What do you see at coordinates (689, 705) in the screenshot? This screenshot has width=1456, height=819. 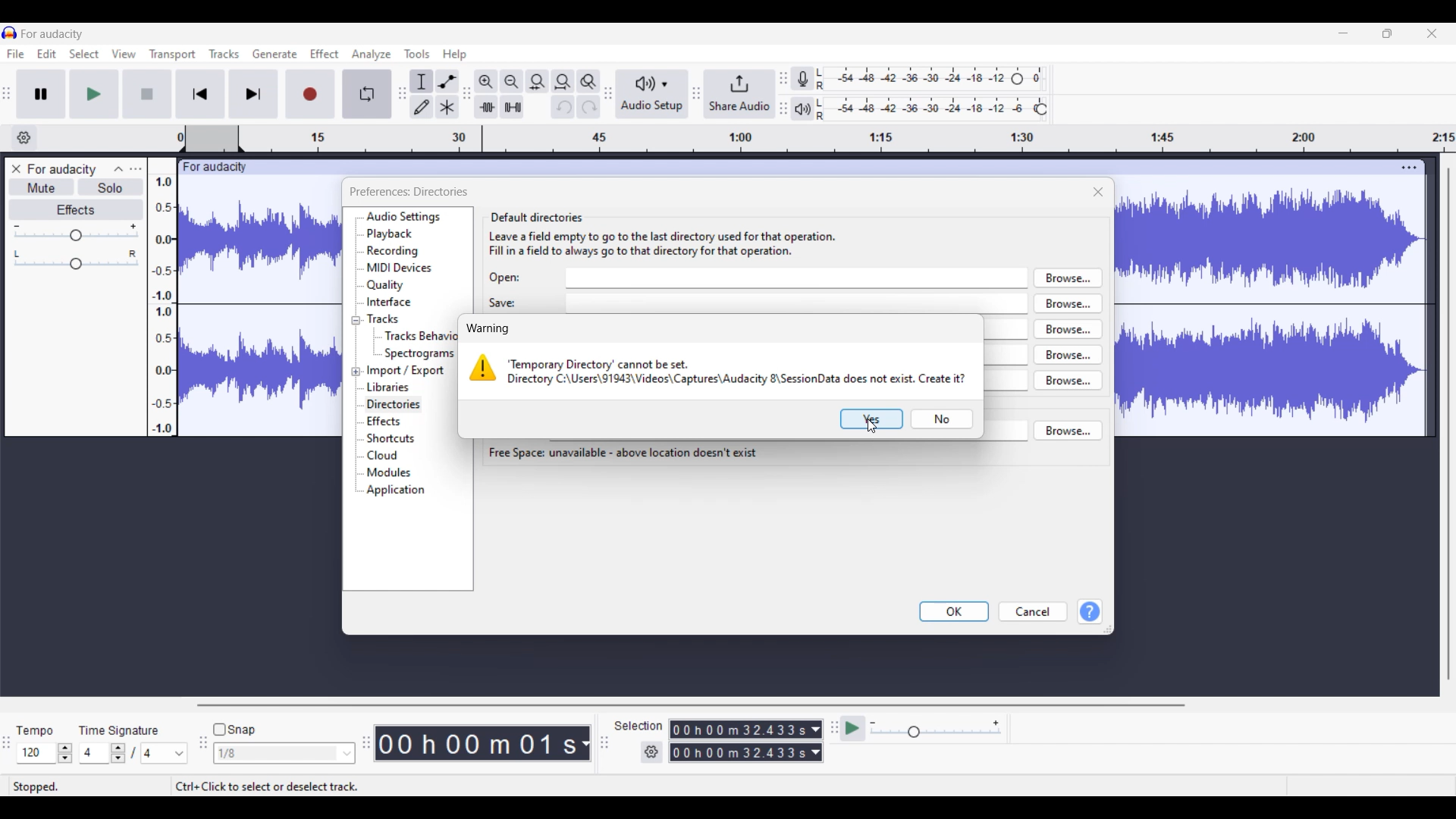 I see `Horizontal scroll bar` at bounding box center [689, 705].